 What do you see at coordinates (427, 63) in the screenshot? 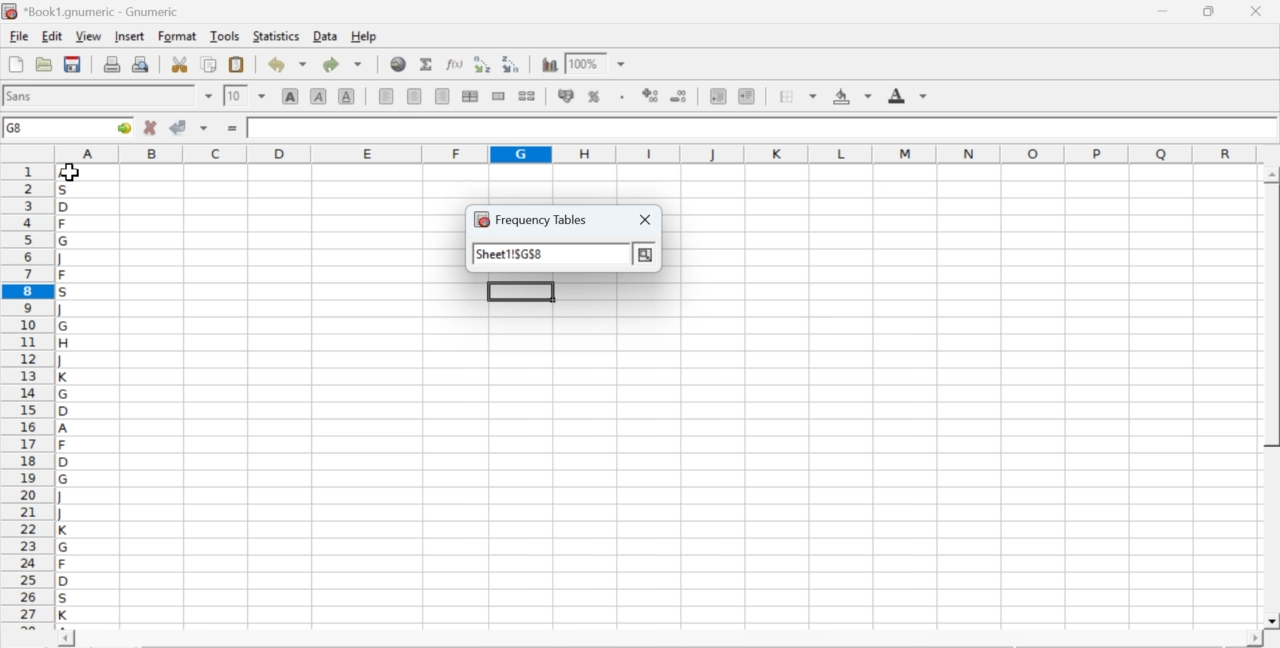
I see `sum in current cell` at bounding box center [427, 63].